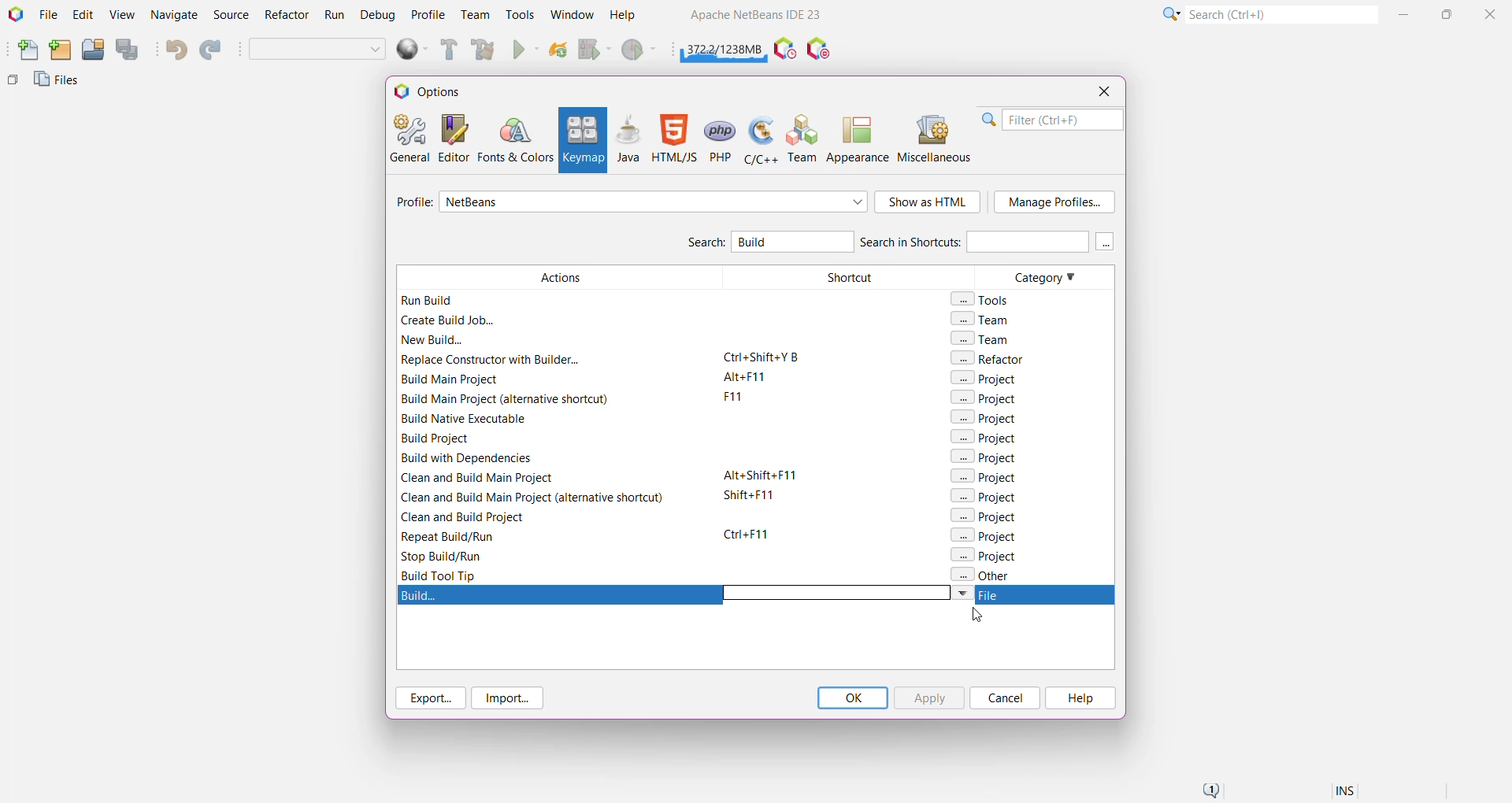  I want to click on File, so click(48, 15).